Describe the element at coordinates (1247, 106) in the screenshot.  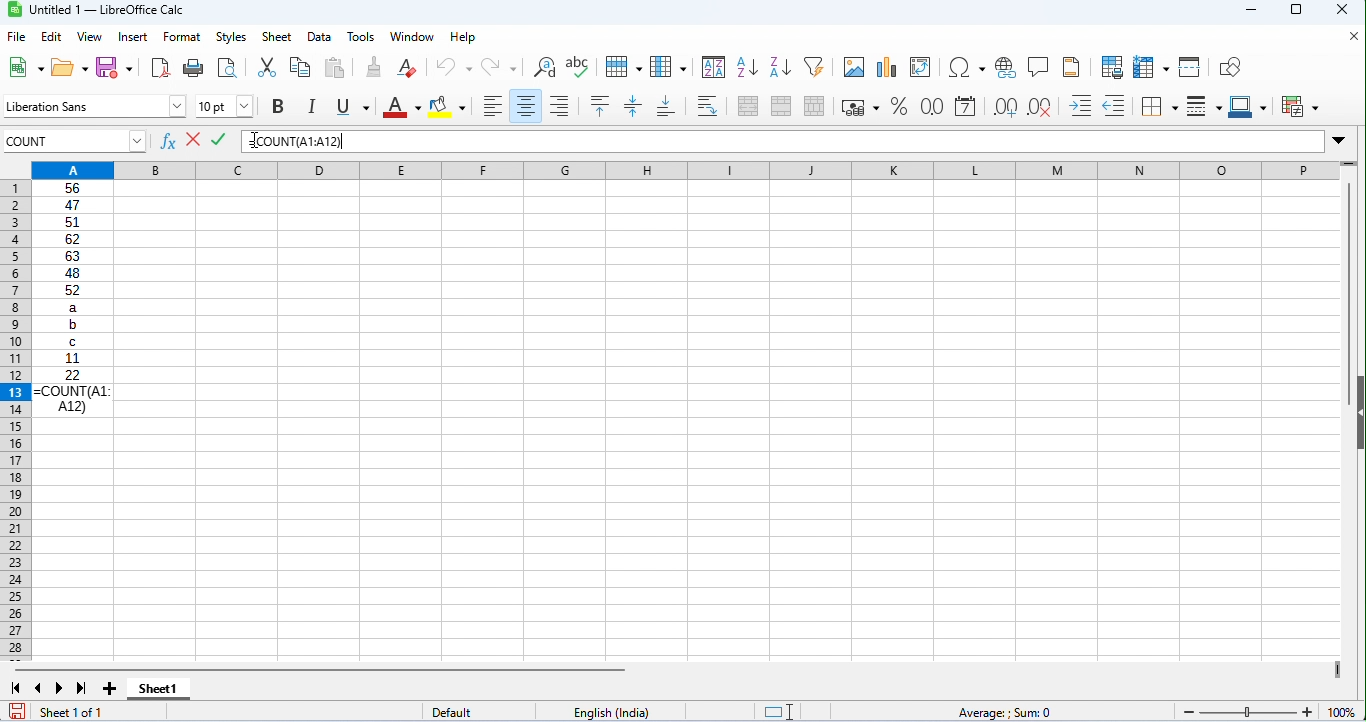
I see `border color` at that location.